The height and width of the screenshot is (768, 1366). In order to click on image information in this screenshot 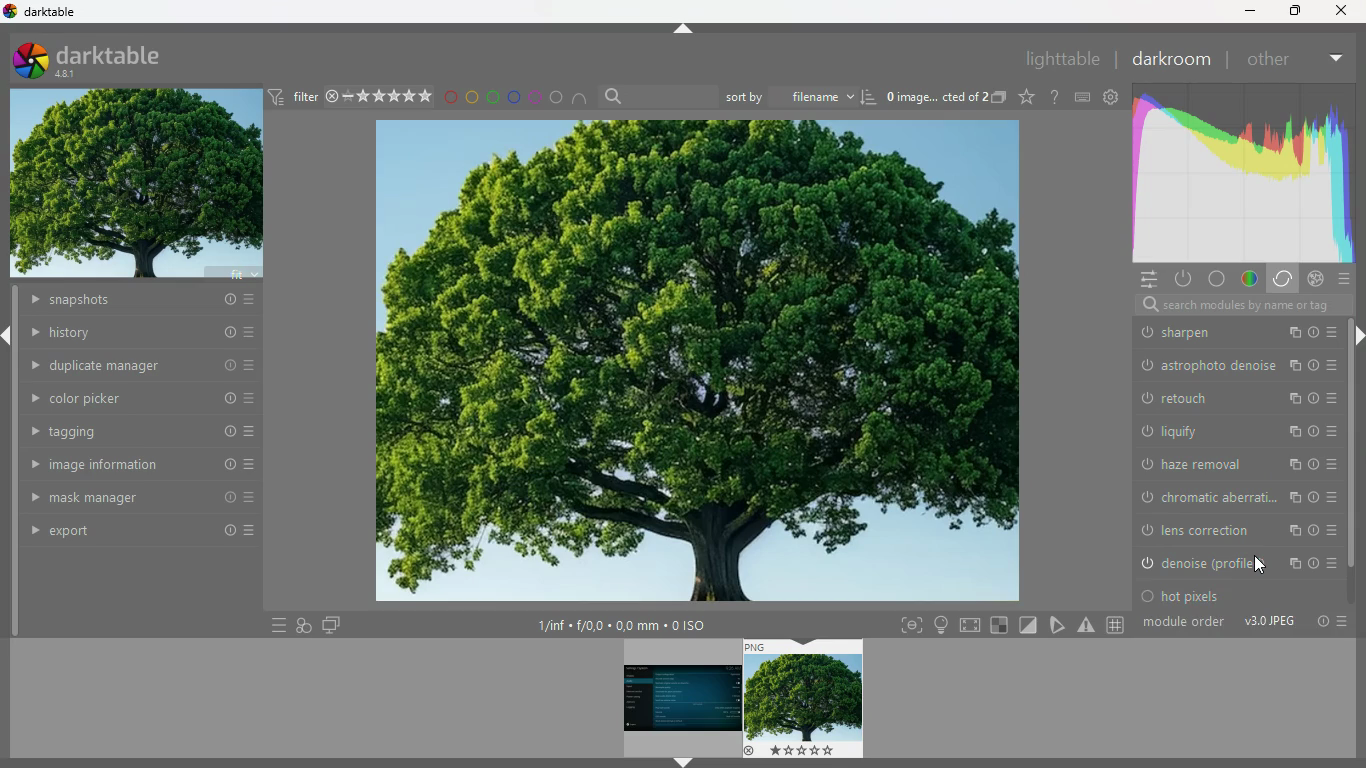, I will do `click(131, 464)`.